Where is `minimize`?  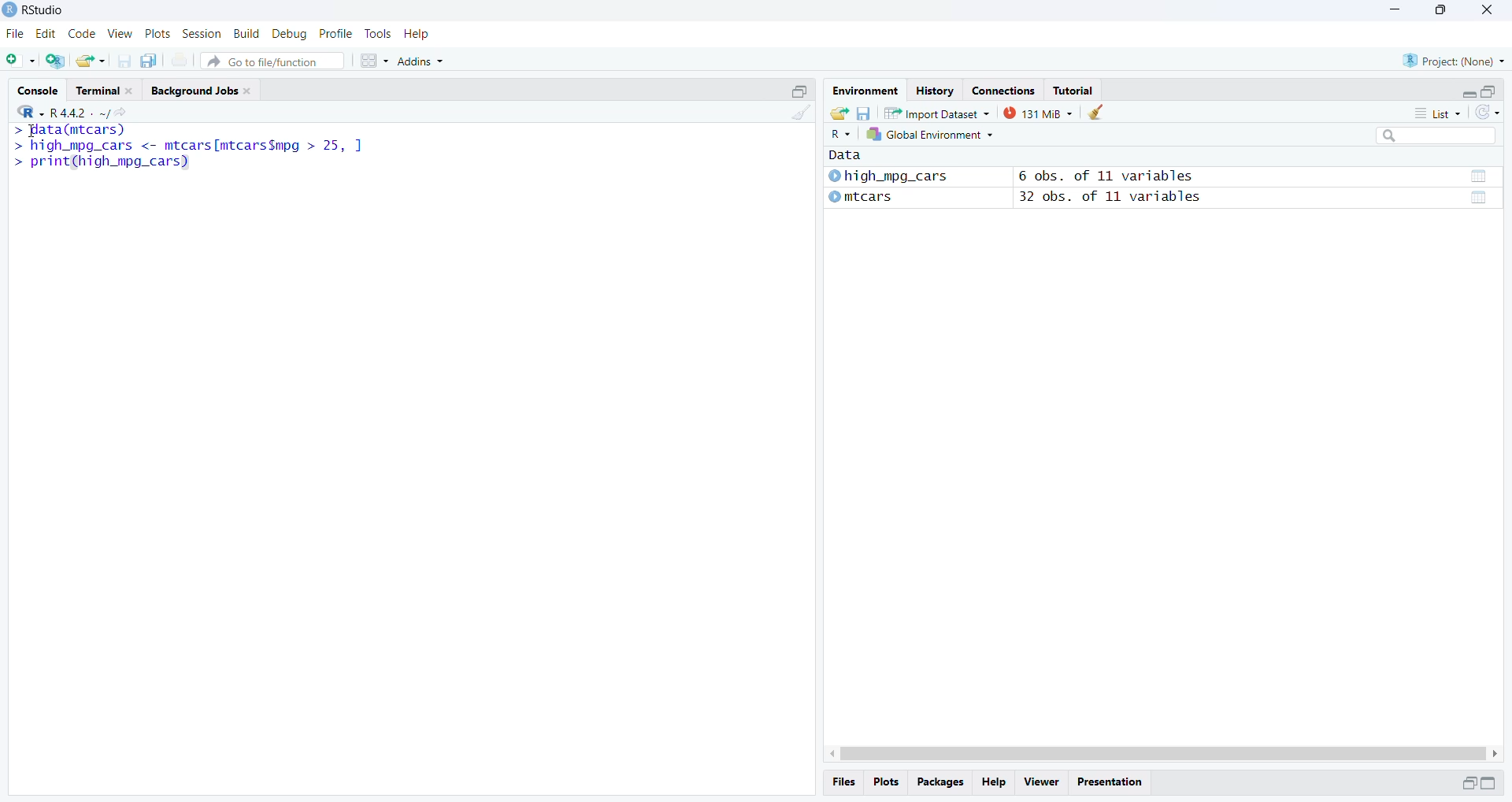
minimize is located at coordinates (1469, 94).